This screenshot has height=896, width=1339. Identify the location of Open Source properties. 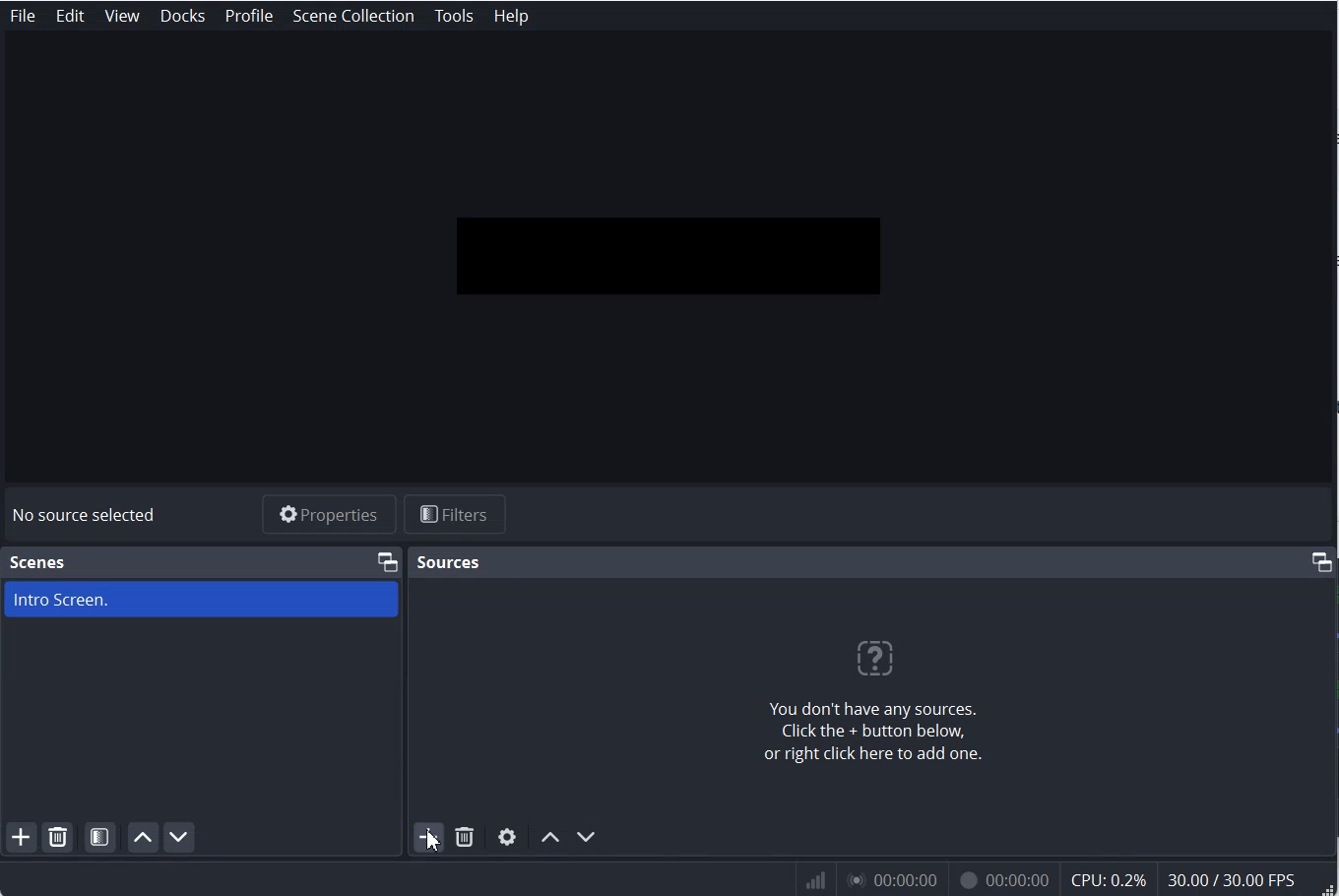
(507, 837).